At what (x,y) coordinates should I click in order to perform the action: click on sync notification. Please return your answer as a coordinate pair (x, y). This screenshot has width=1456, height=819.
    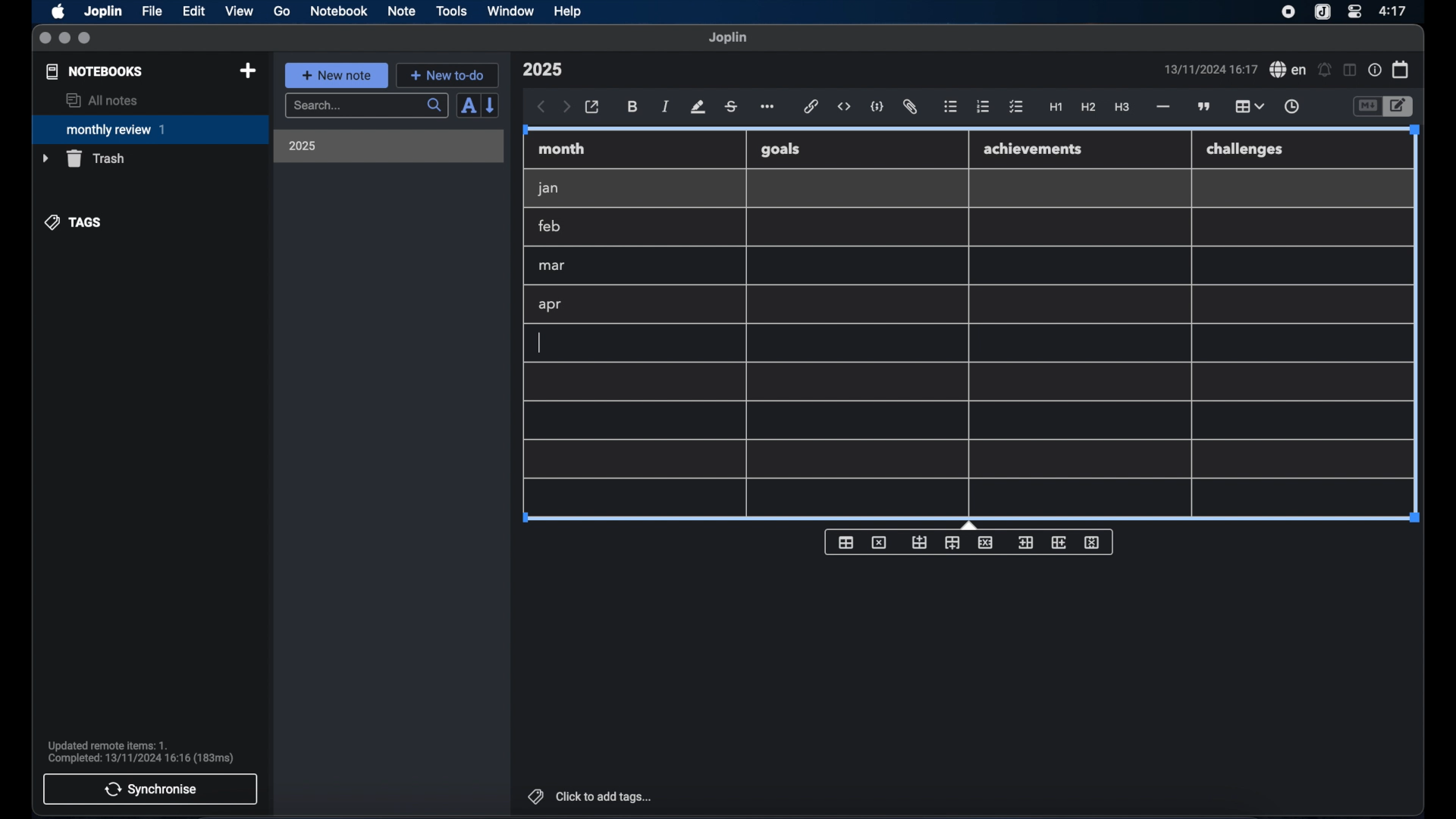
    Looking at the image, I should click on (141, 752).